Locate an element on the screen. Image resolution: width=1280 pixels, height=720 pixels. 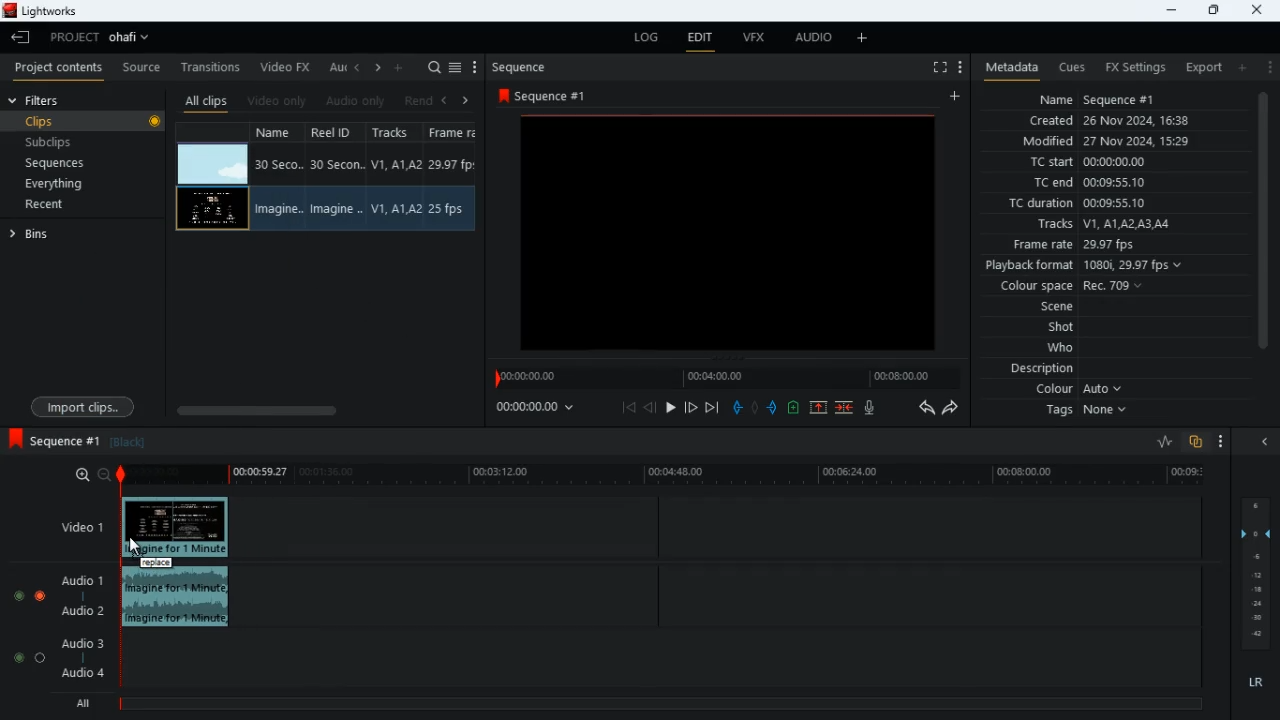
frame rate is located at coordinates (1104, 245).